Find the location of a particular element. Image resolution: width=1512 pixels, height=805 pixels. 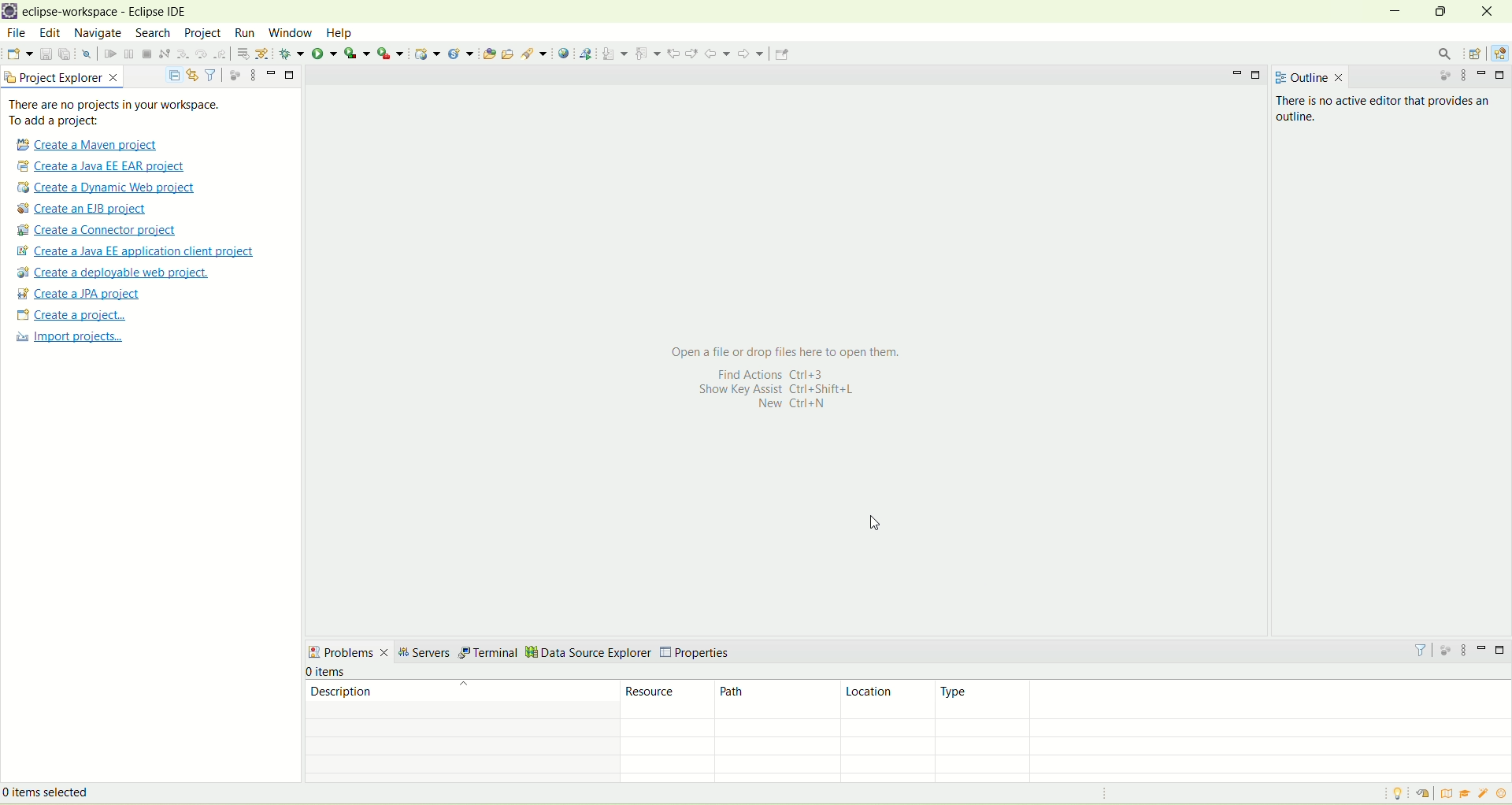

maximize is located at coordinates (1503, 76).